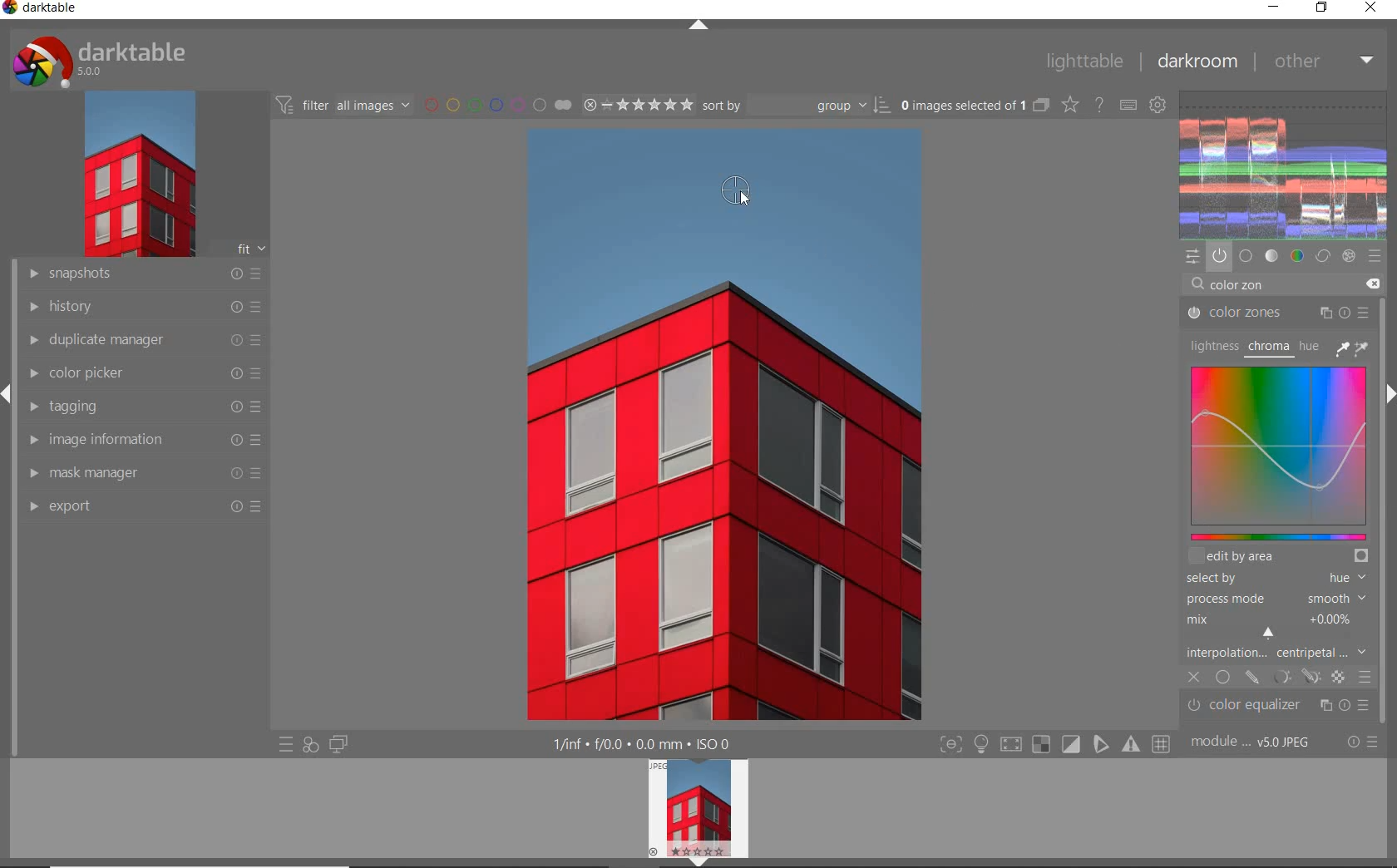  I want to click on tone, so click(1272, 255).